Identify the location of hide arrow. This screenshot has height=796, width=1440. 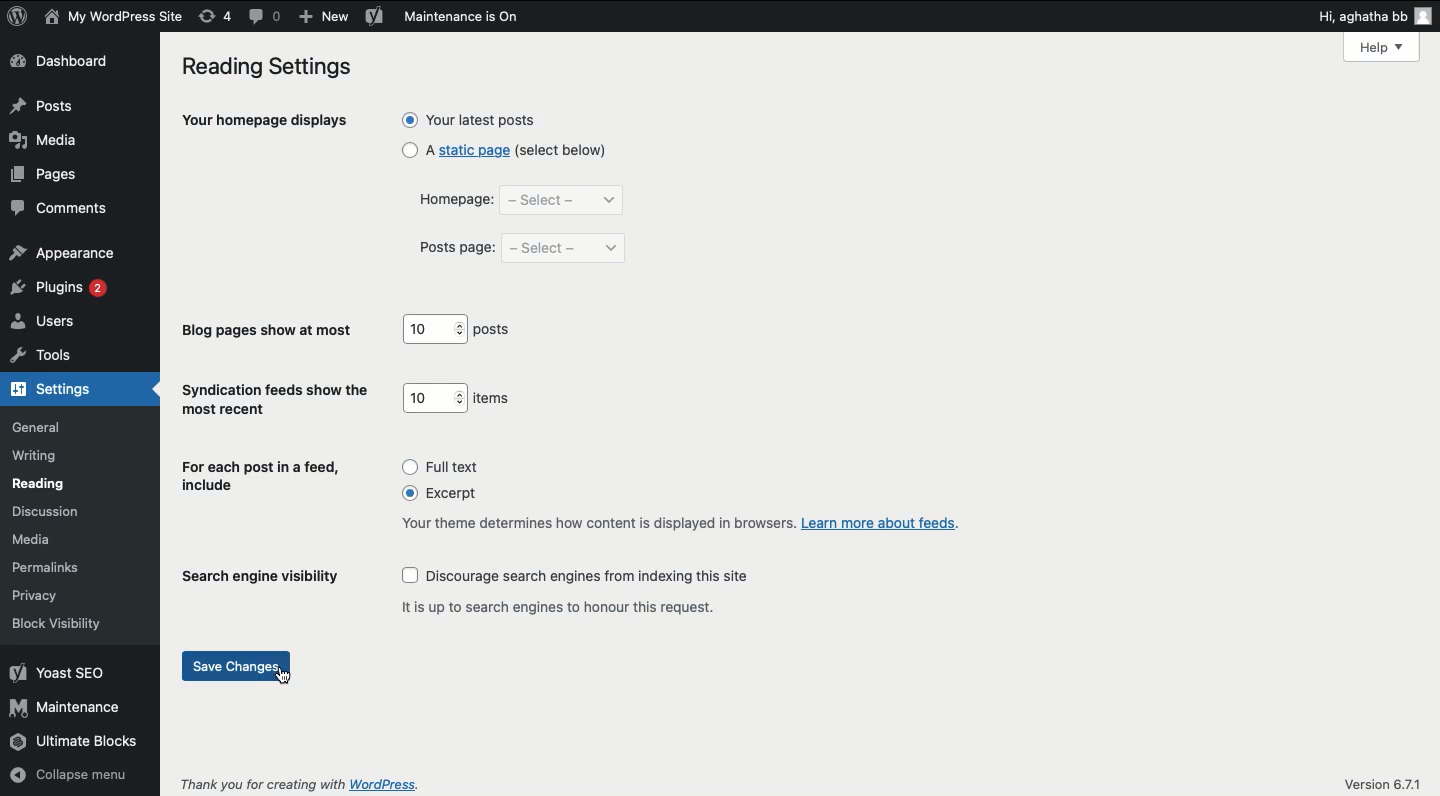
(154, 392).